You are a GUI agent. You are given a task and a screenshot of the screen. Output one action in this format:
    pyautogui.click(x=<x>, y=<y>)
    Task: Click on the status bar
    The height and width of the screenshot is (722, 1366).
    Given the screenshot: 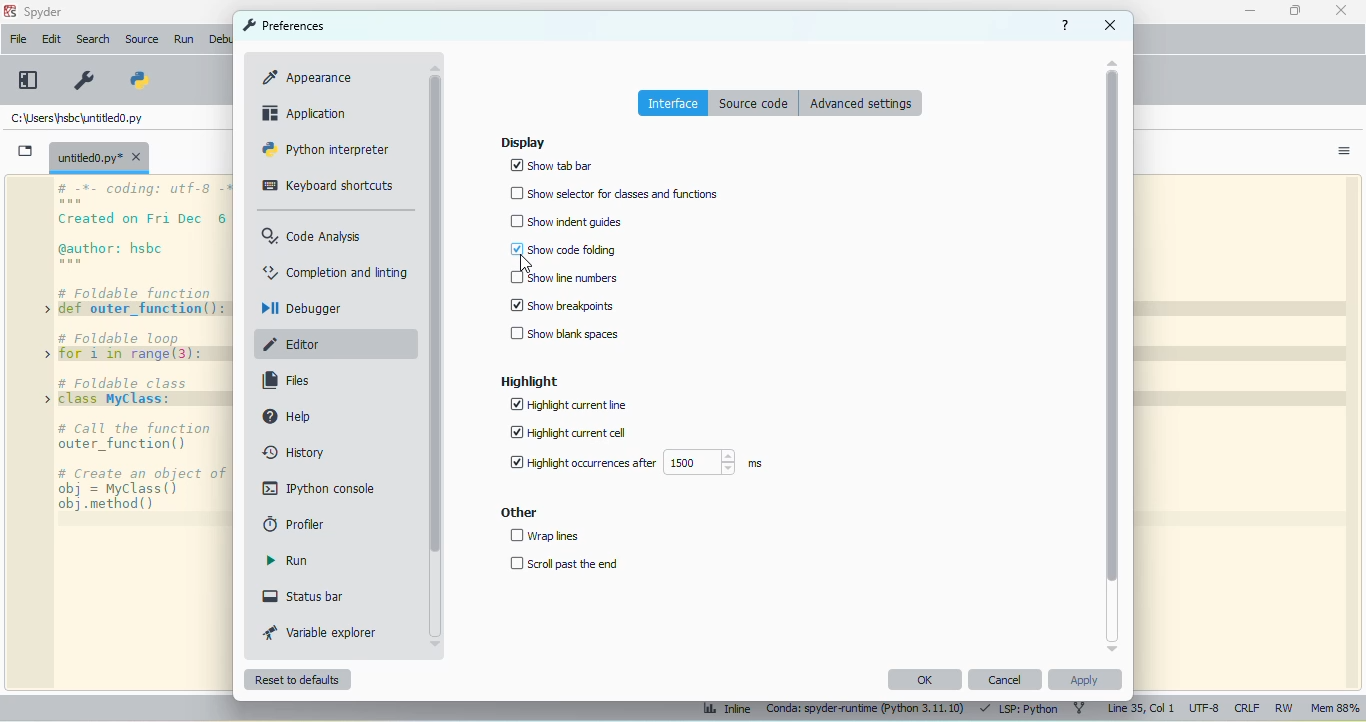 What is the action you would take?
    pyautogui.click(x=302, y=596)
    